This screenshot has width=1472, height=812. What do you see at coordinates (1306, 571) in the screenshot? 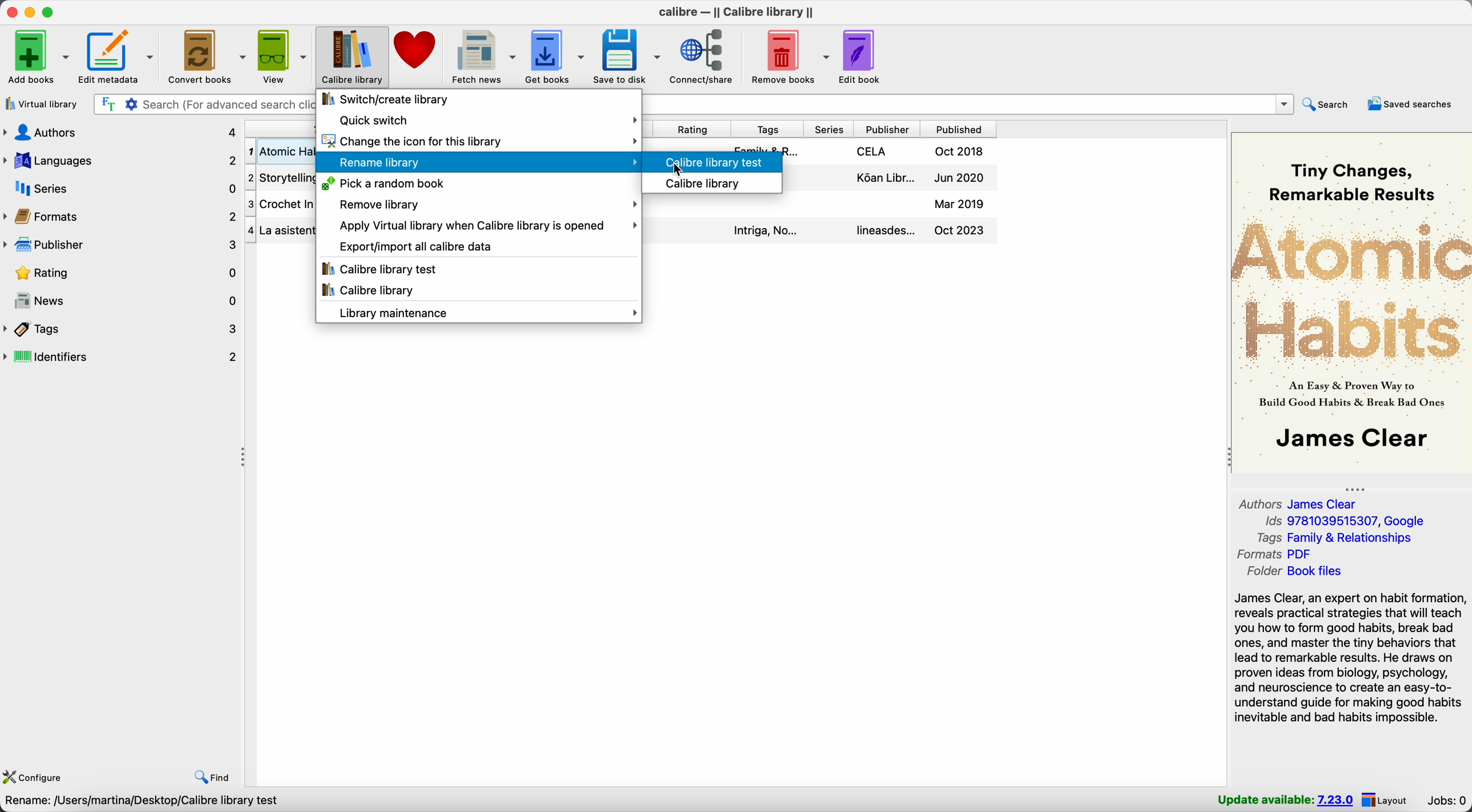
I see `folder Book files` at bounding box center [1306, 571].